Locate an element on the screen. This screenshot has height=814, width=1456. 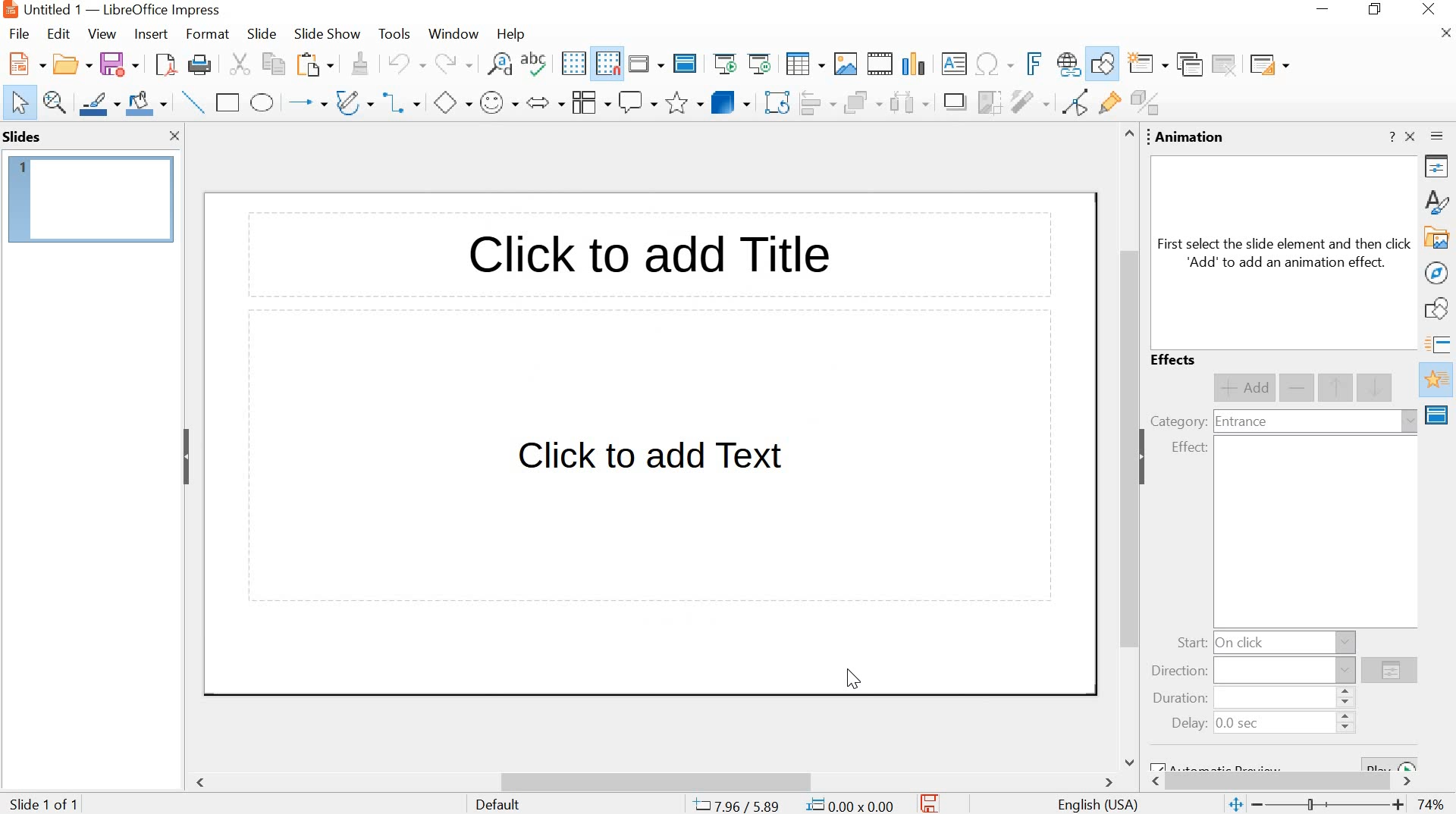
slideshow from start slide is located at coordinates (725, 65).